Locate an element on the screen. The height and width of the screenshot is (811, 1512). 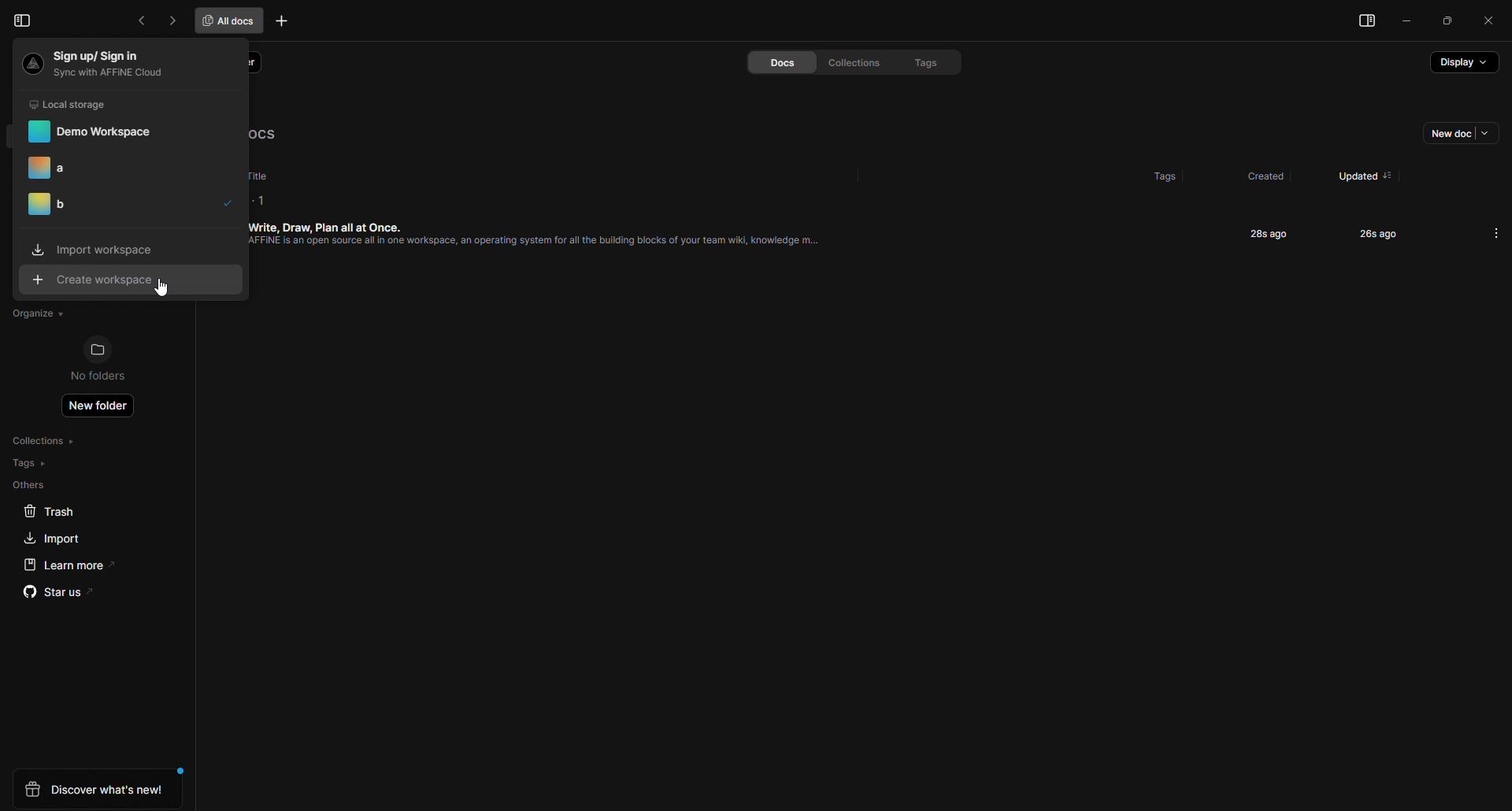
cursor is located at coordinates (166, 293).